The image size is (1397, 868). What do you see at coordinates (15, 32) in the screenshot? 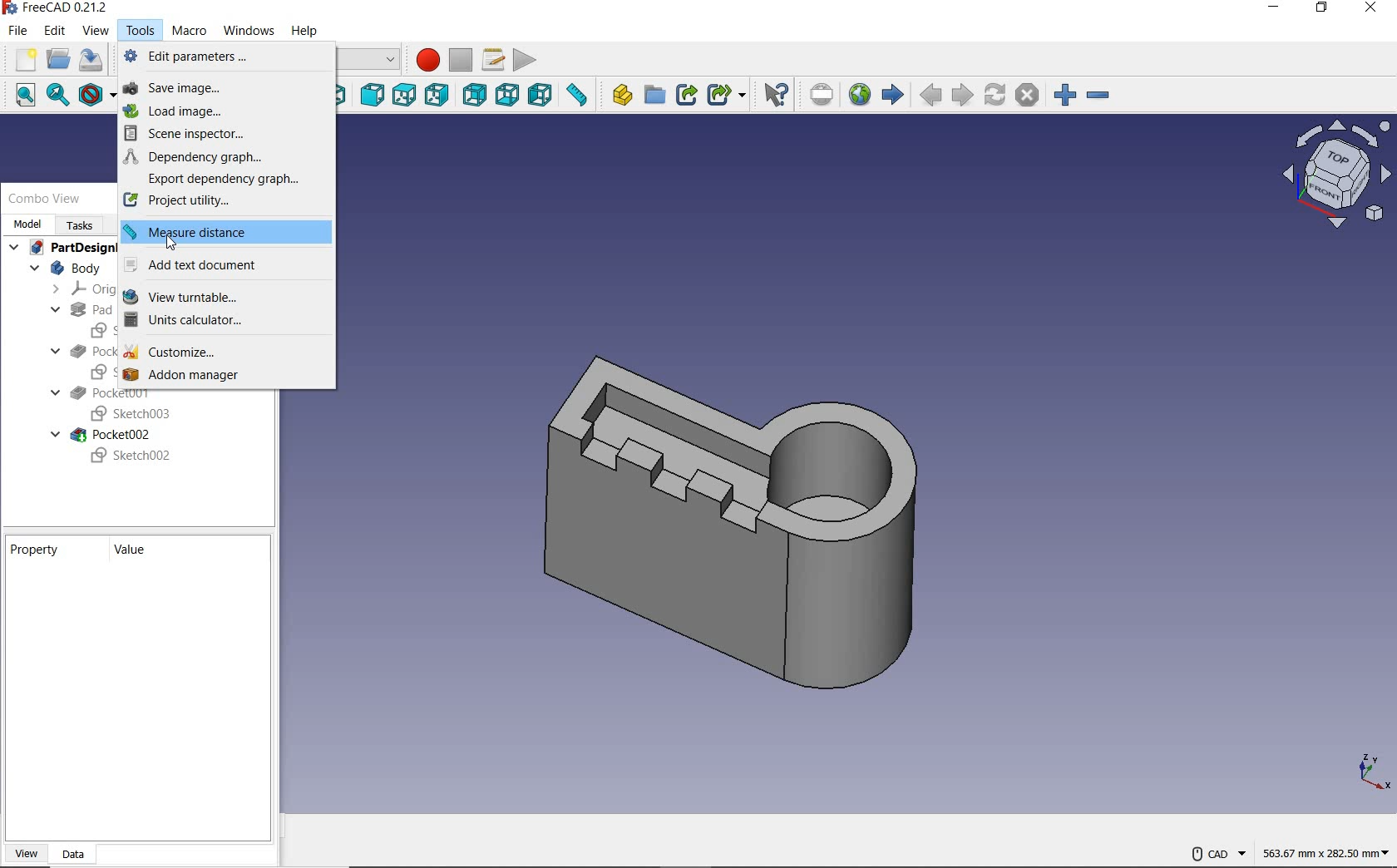
I see `file` at bounding box center [15, 32].